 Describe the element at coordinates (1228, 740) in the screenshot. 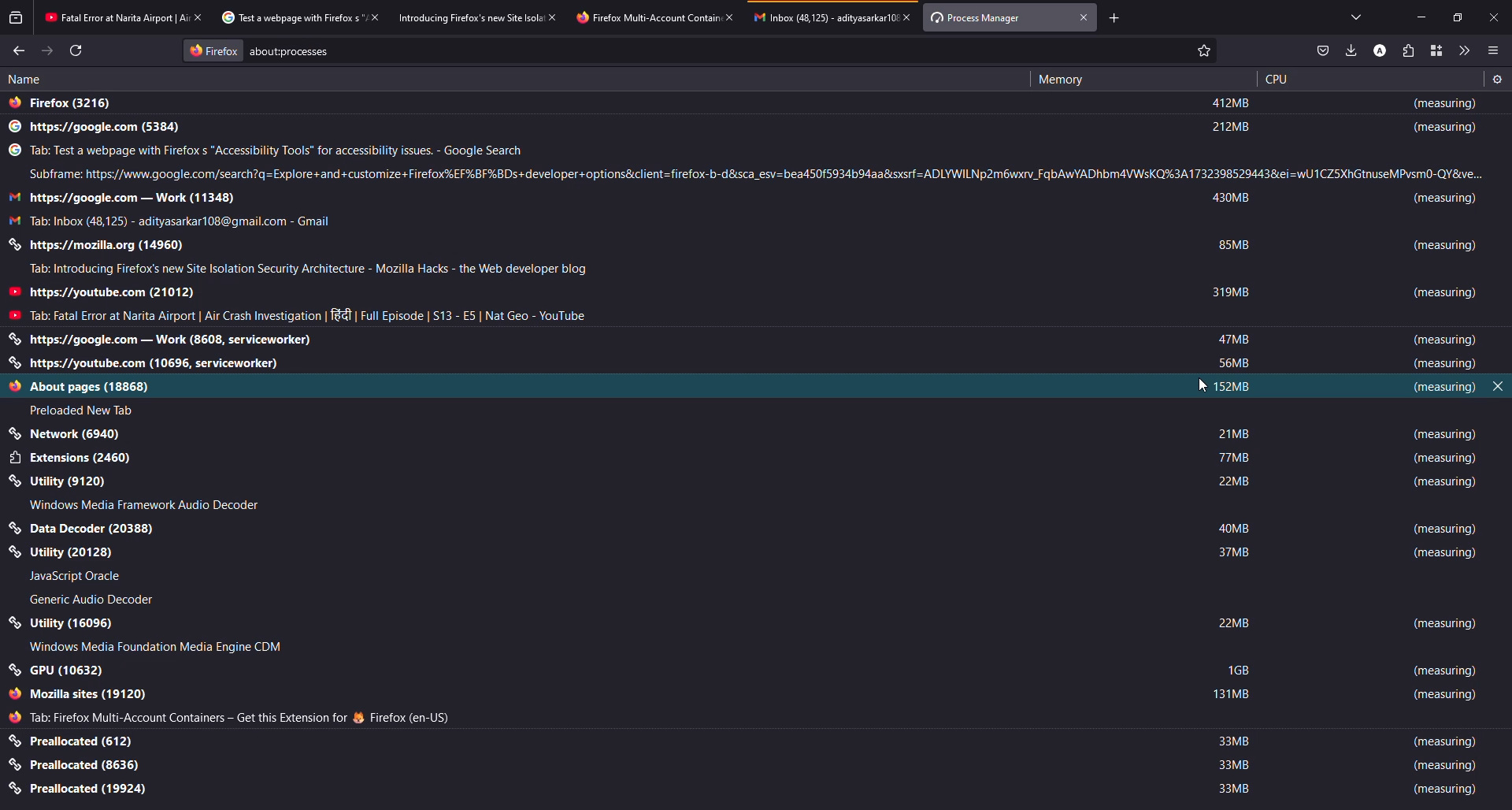

I see `33 mb` at that location.